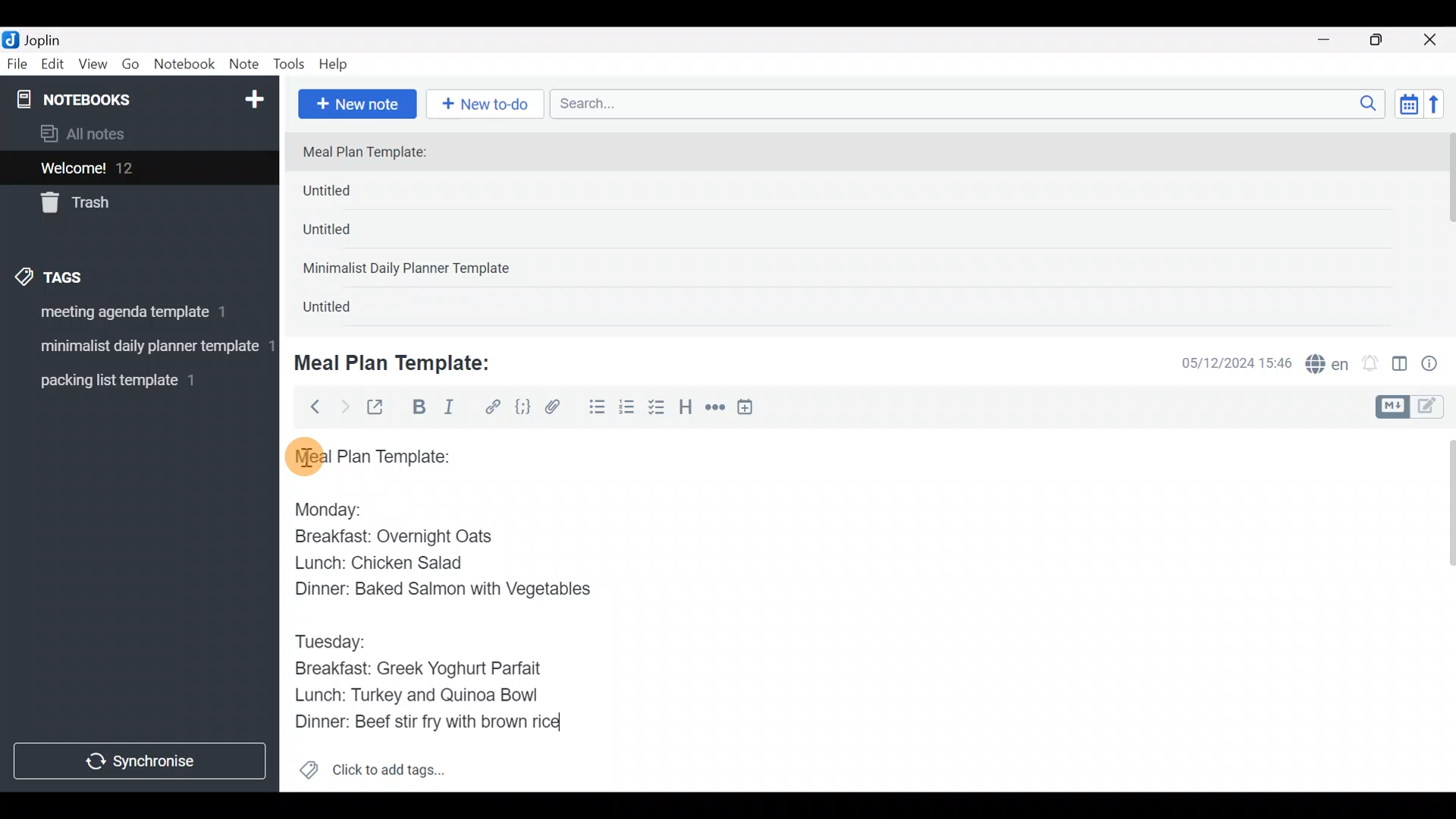 Image resolution: width=1456 pixels, height=819 pixels. I want to click on Lunch: Turkey and Quinoa Bowl, so click(422, 694).